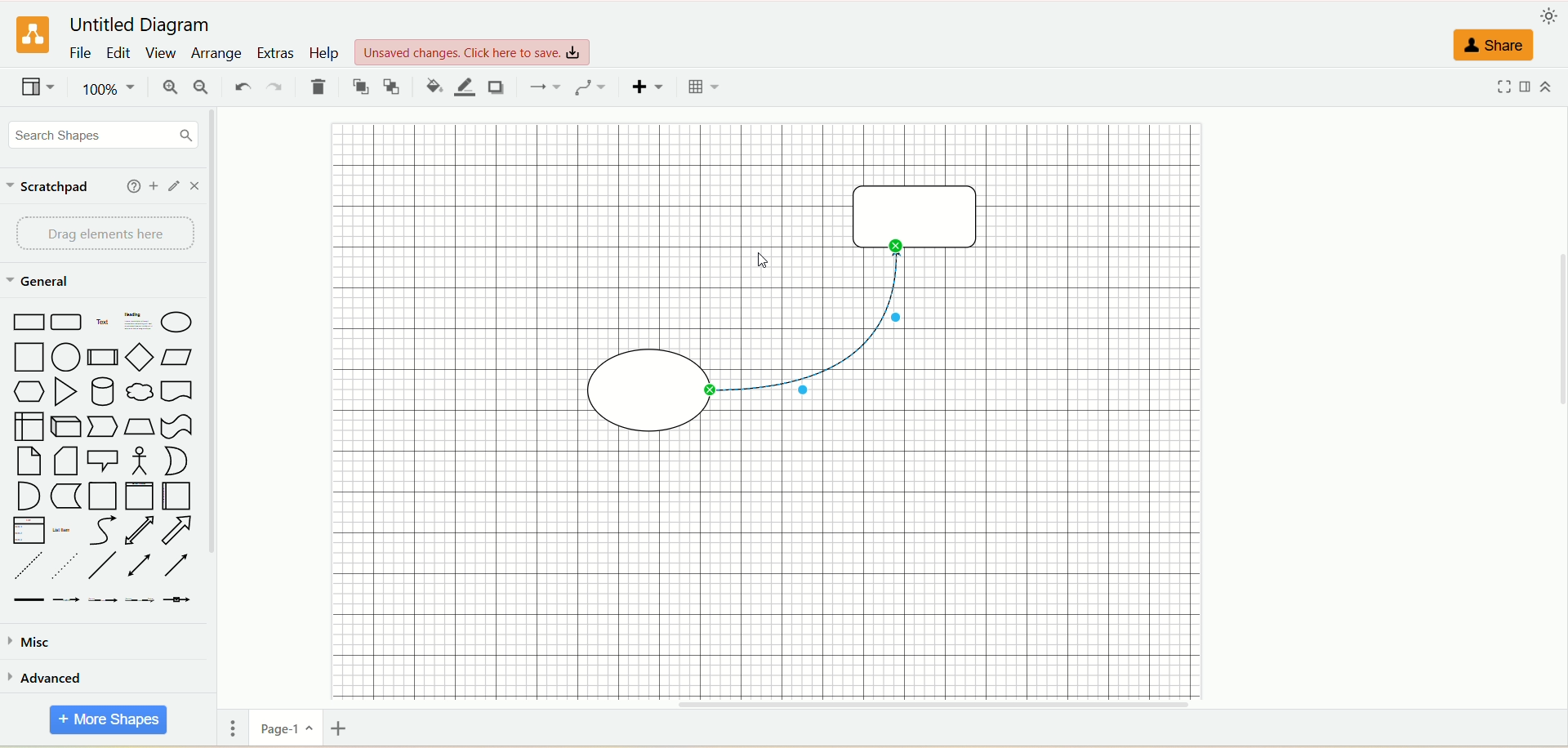 The height and width of the screenshot is (748, 1568). What do you see at coordinates (79, 55) in the screenshot?
I see `file` at bounding box center [79, 55].